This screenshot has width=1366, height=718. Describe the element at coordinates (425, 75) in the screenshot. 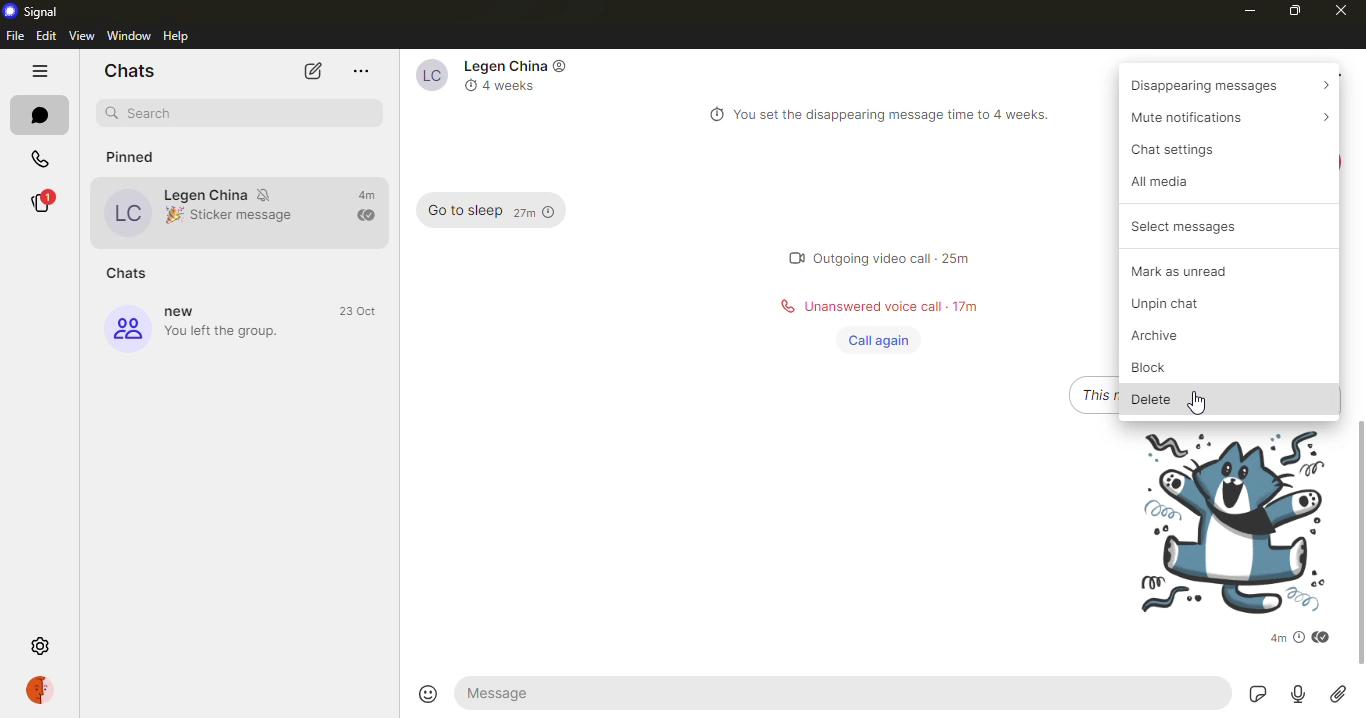

I see `profile` at that location.